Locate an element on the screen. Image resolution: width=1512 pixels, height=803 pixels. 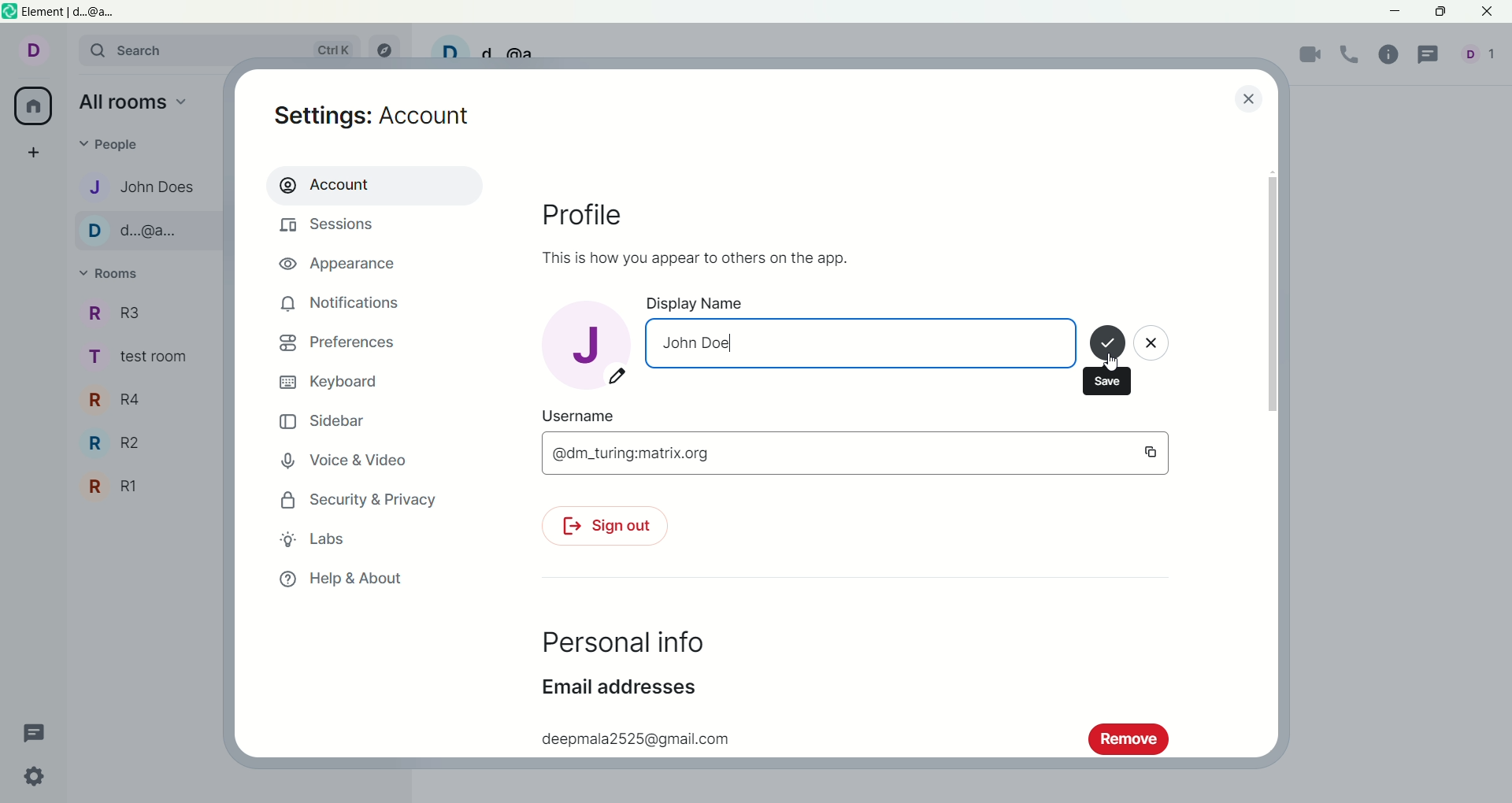
notifications is located at coordinates (341, 303).